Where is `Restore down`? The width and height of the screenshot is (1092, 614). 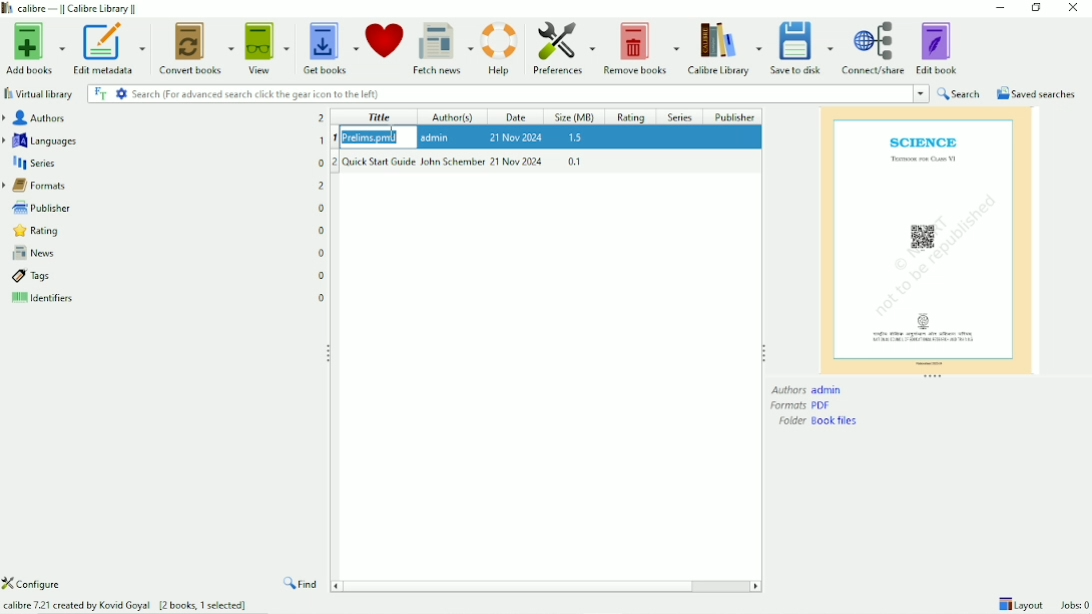
Restore down is located at coordinates (1036, 8).